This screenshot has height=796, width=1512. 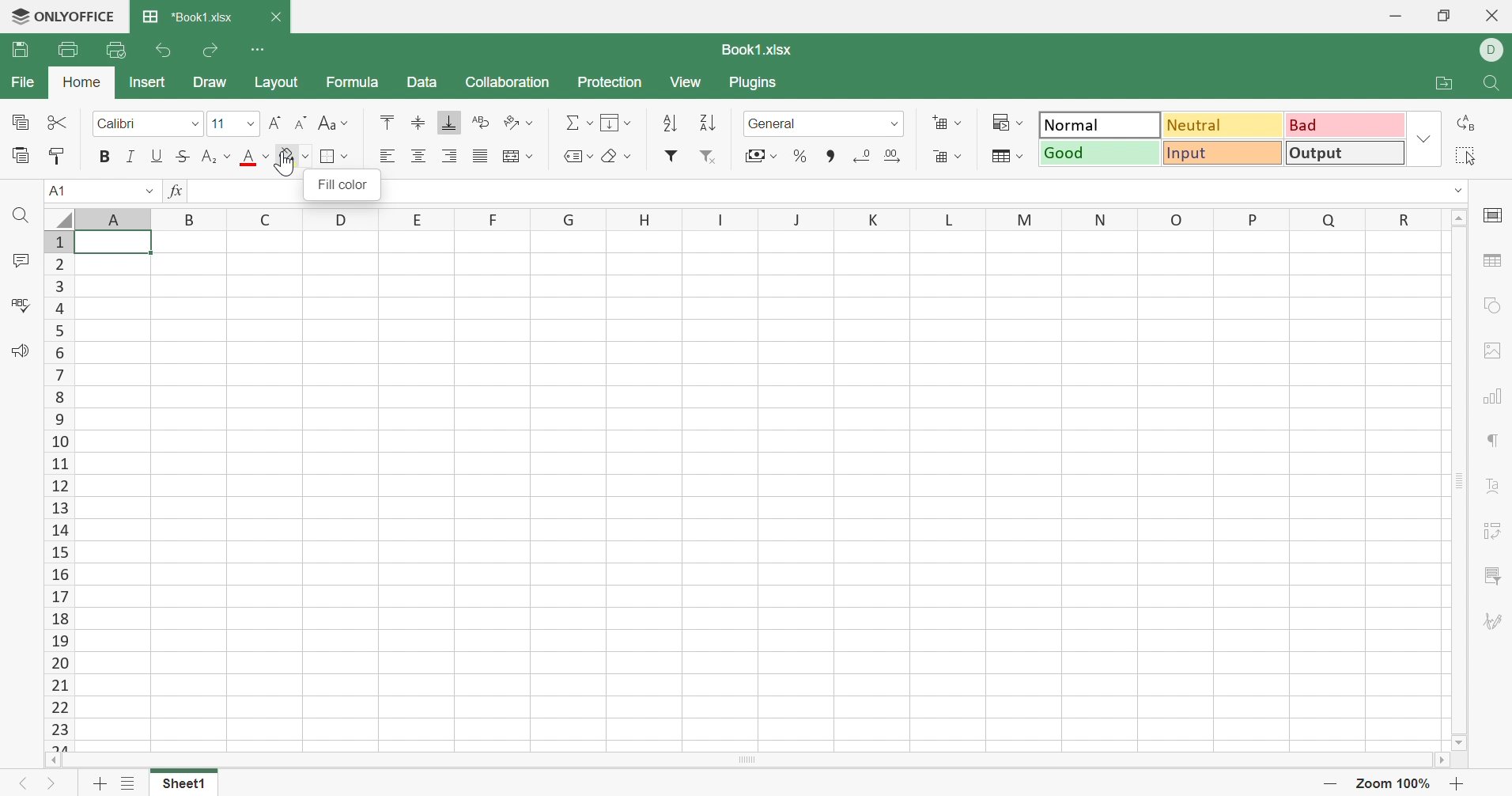 I want to click on Zoom In, so click(x=1454, y=783).